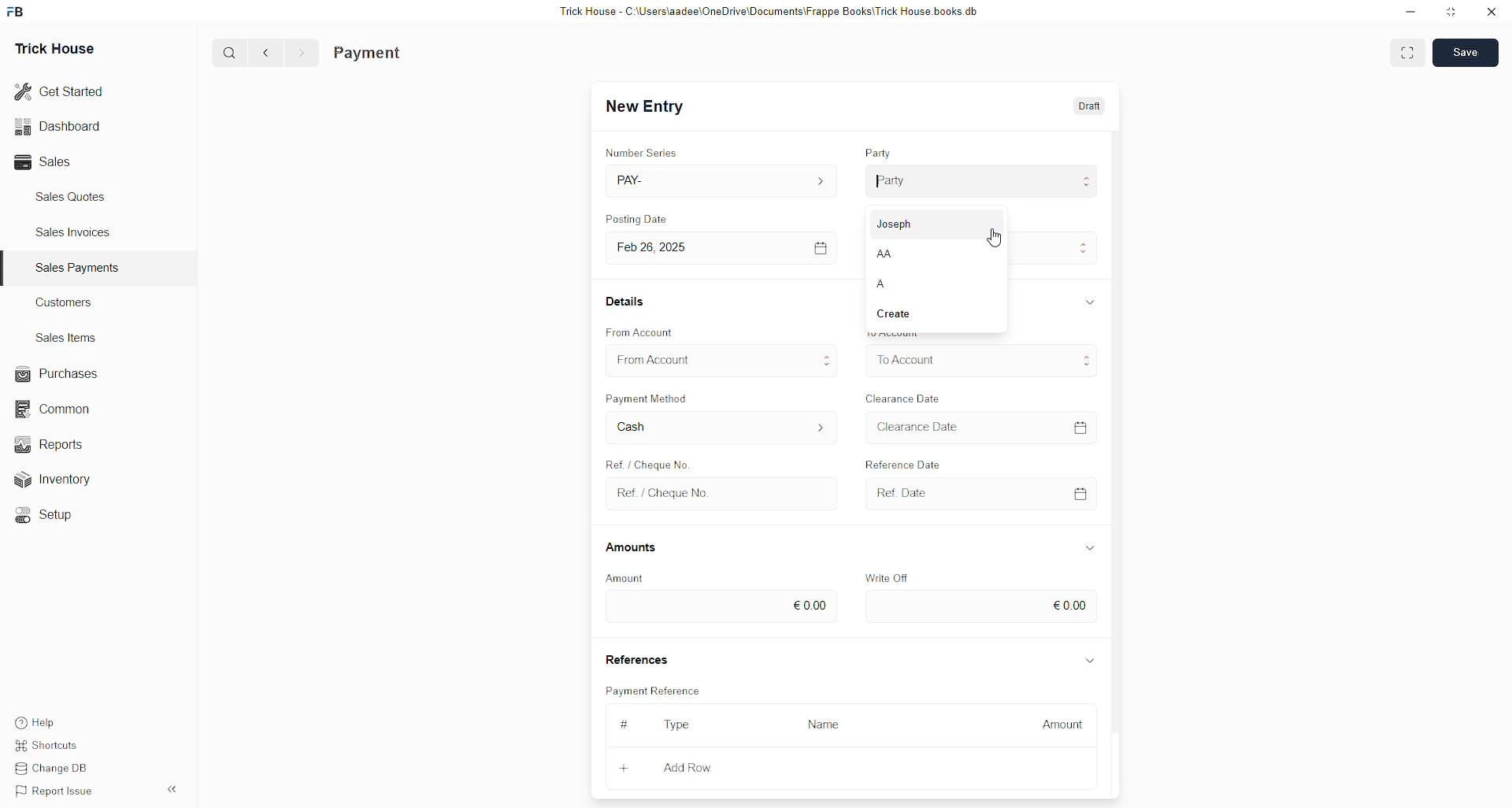  What do you see at coordinates (57, 767) in the screenshot?
I see `Change DB` at bounding box center [57, 767].